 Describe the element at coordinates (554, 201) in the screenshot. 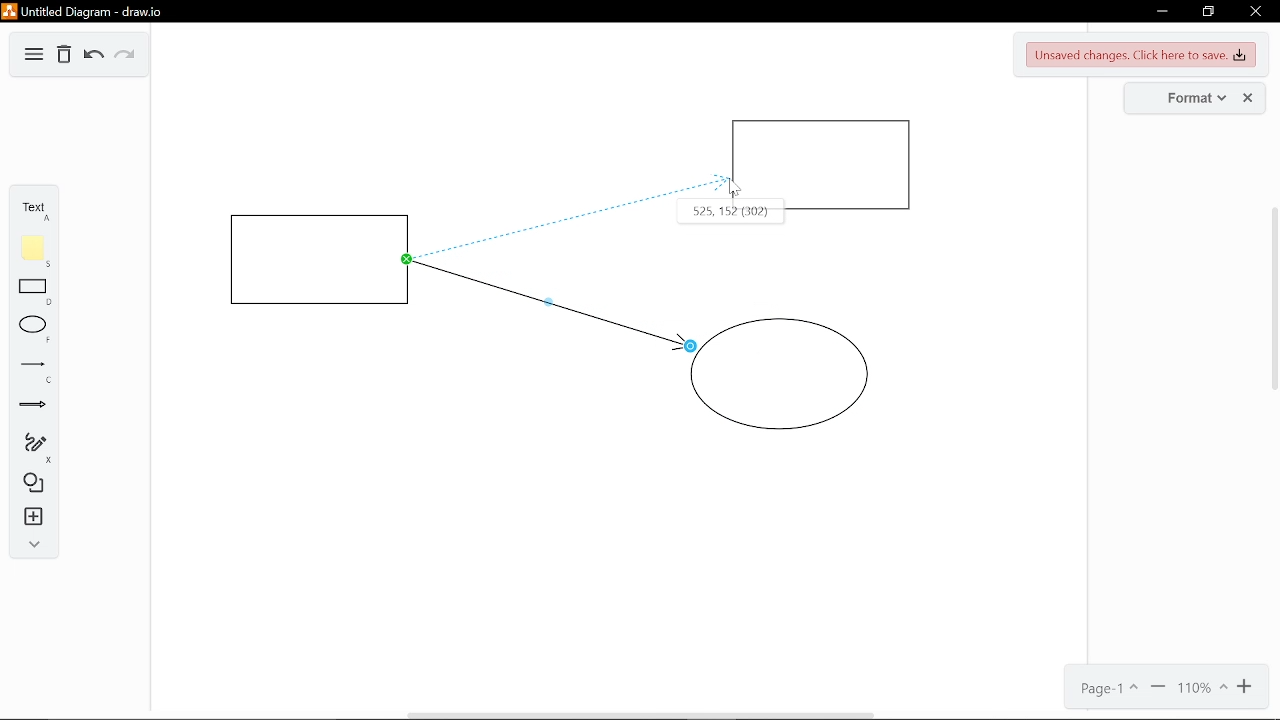

I see `Shift the connector to rectangle` at that location.